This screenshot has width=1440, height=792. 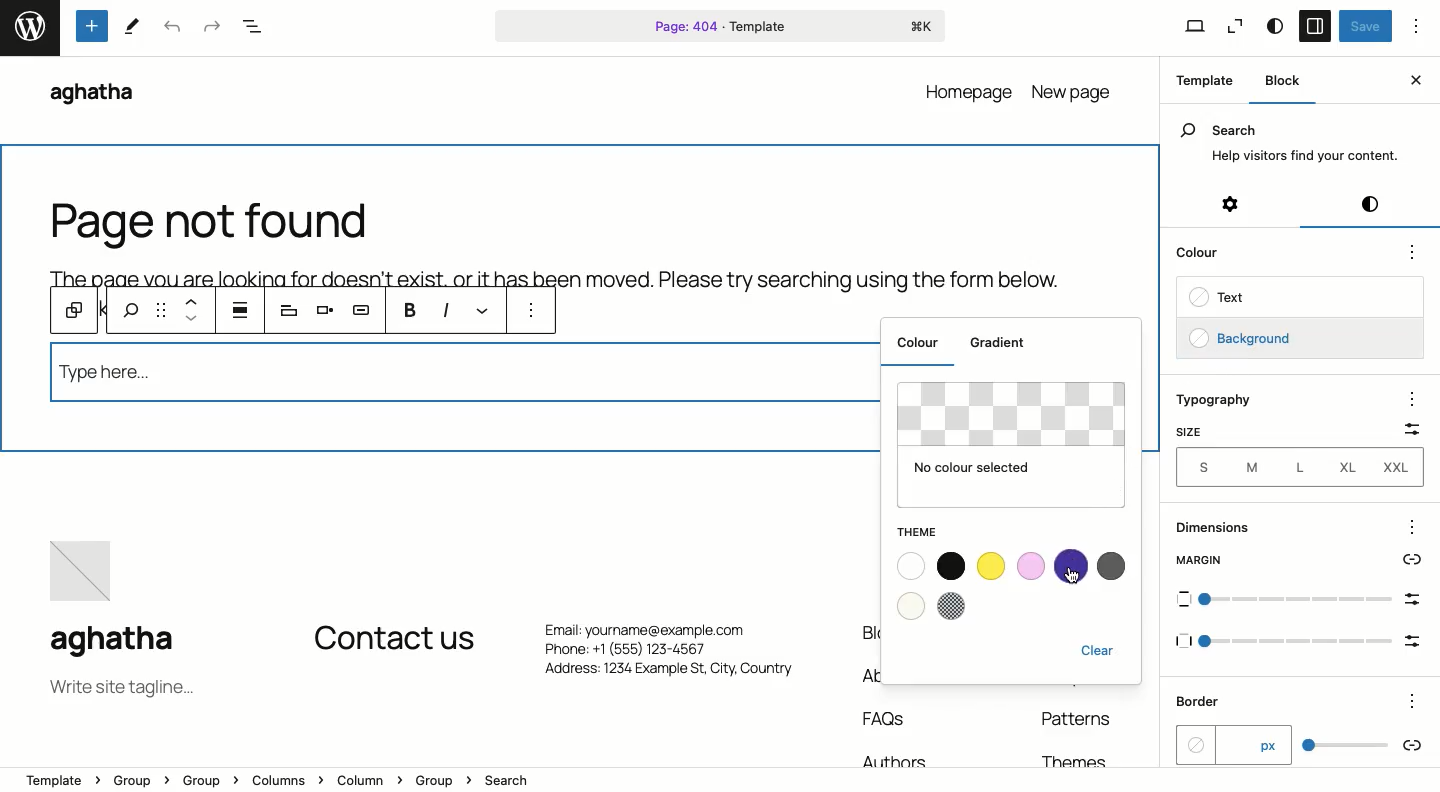 I want to click on Sidebar, so click(x=1316, y=26).